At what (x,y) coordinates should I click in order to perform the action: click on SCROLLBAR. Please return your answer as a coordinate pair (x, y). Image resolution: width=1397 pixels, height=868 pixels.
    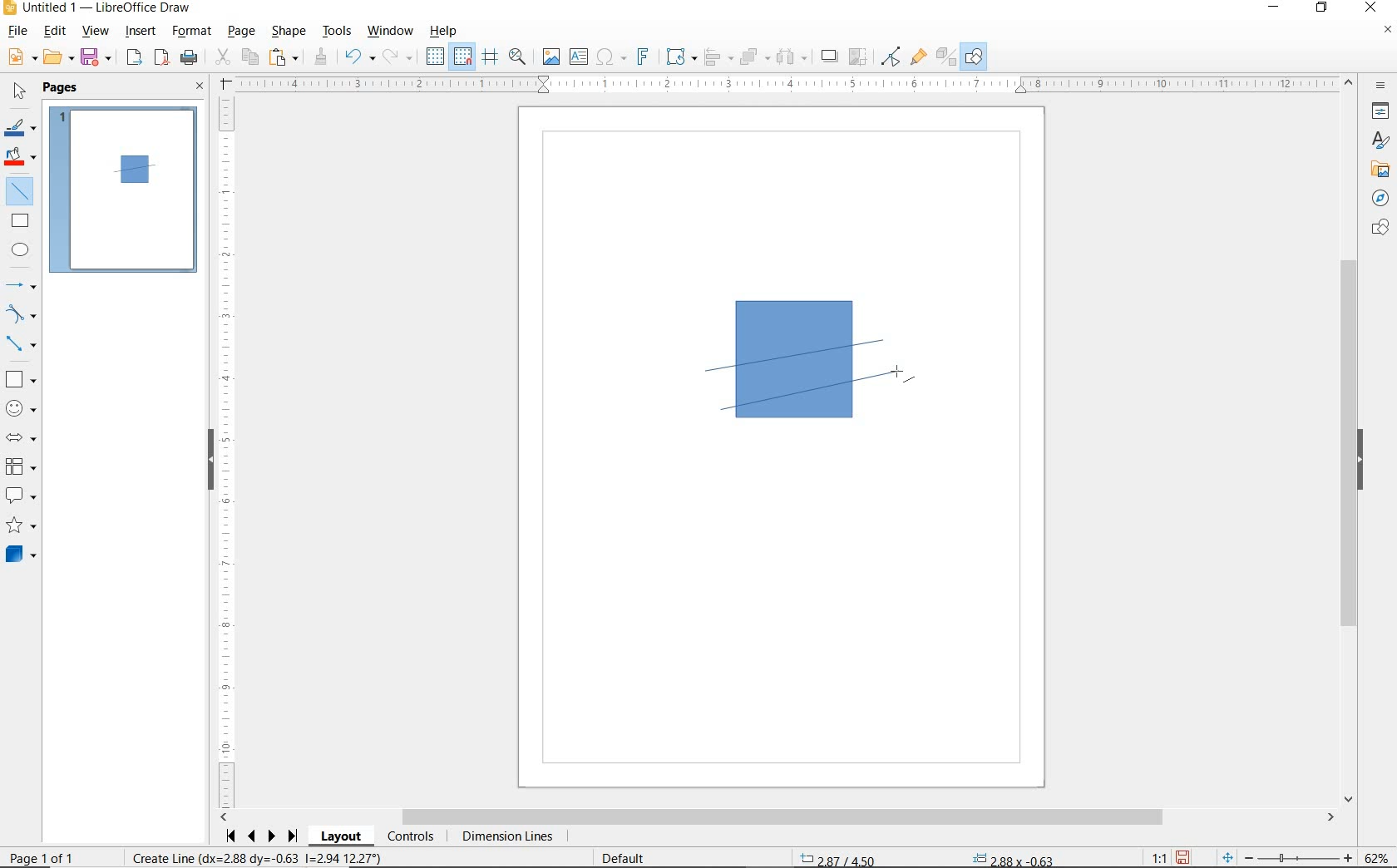
    Looking at the image, I should click on (777, 817).